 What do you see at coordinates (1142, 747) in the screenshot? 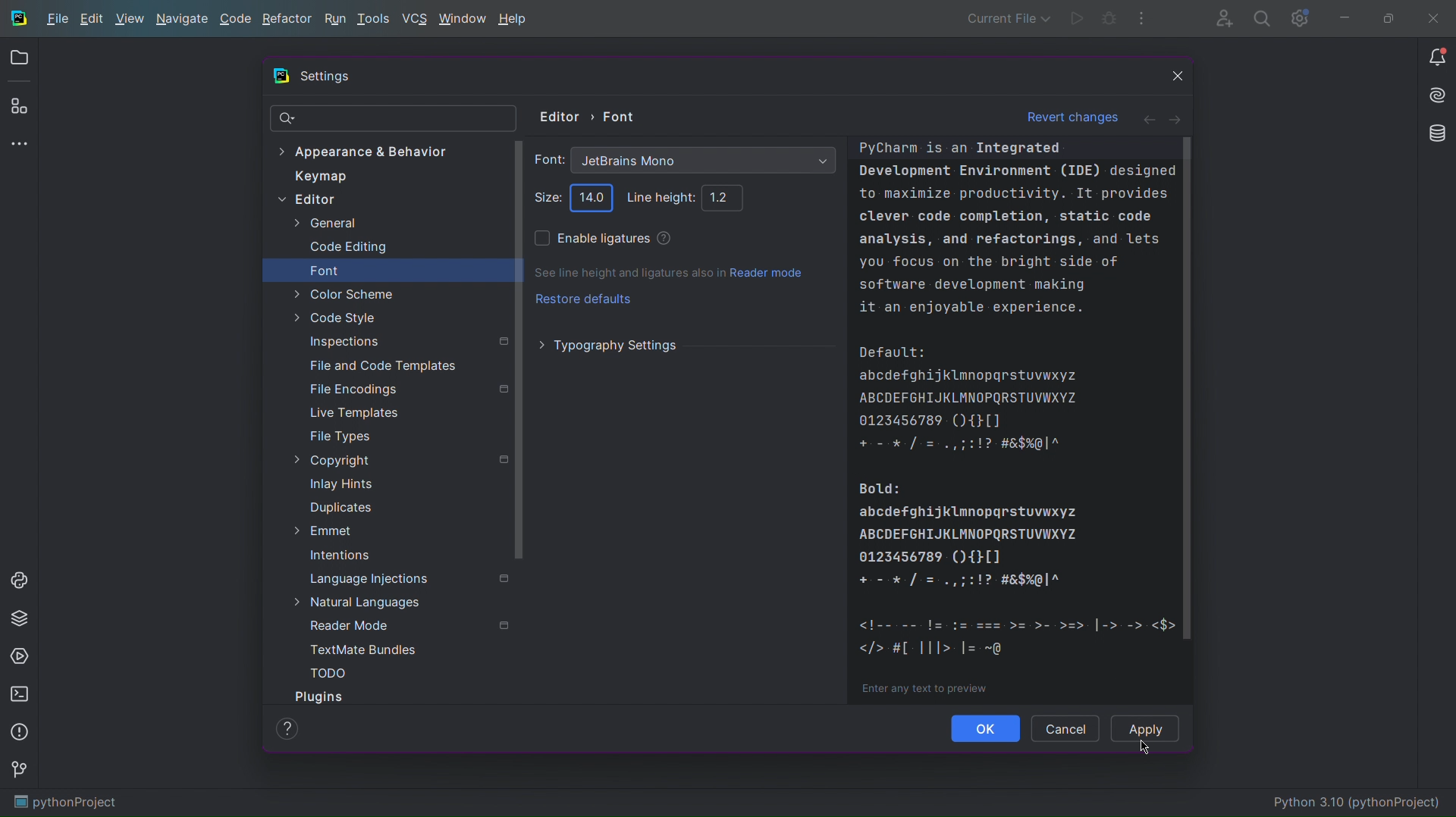
I see `Cursor at Apply` at bounding box center [1142, 747].